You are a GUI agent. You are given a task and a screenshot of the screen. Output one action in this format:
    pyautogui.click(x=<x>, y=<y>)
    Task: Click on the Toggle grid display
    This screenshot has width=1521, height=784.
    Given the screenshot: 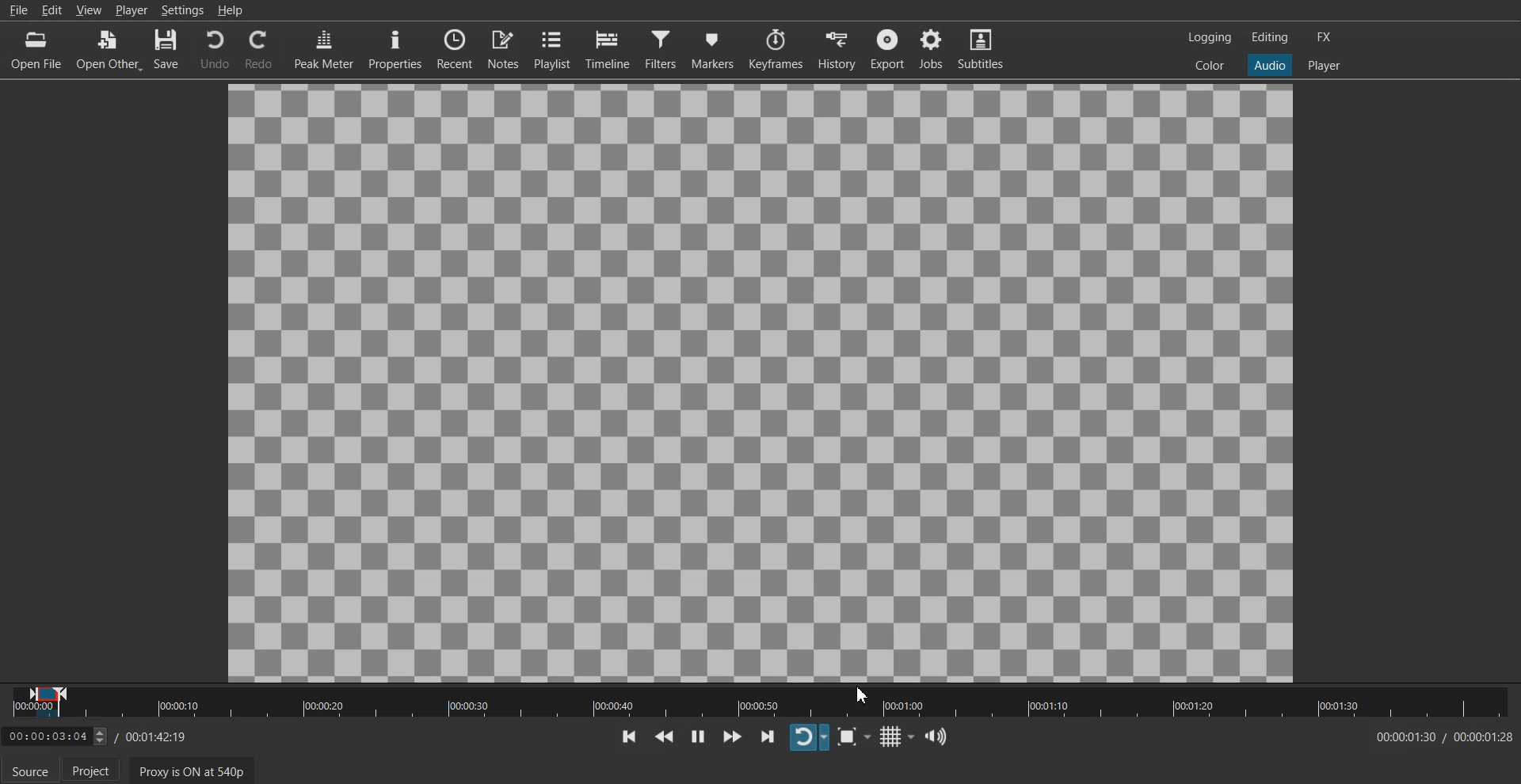 What is the action you would take?
    pyautogui.click(x=896, y=736)
    